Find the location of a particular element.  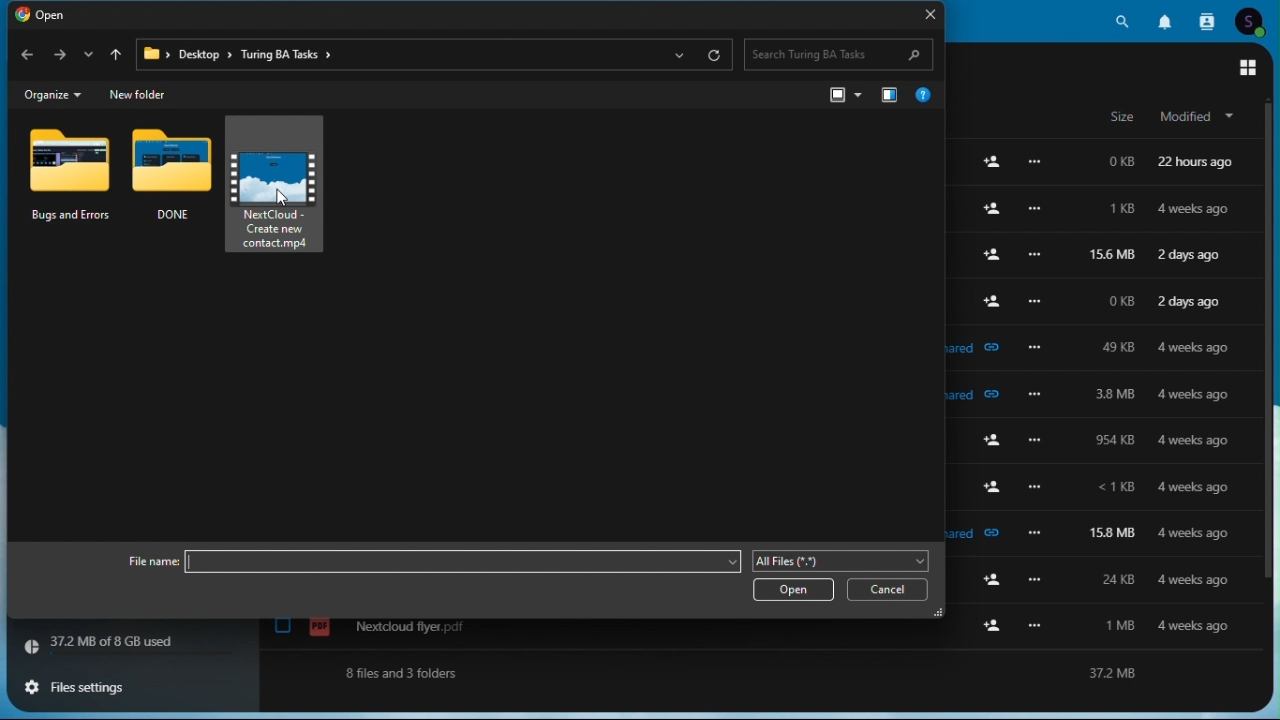

954 kb is located at coordinates (1120, 441).